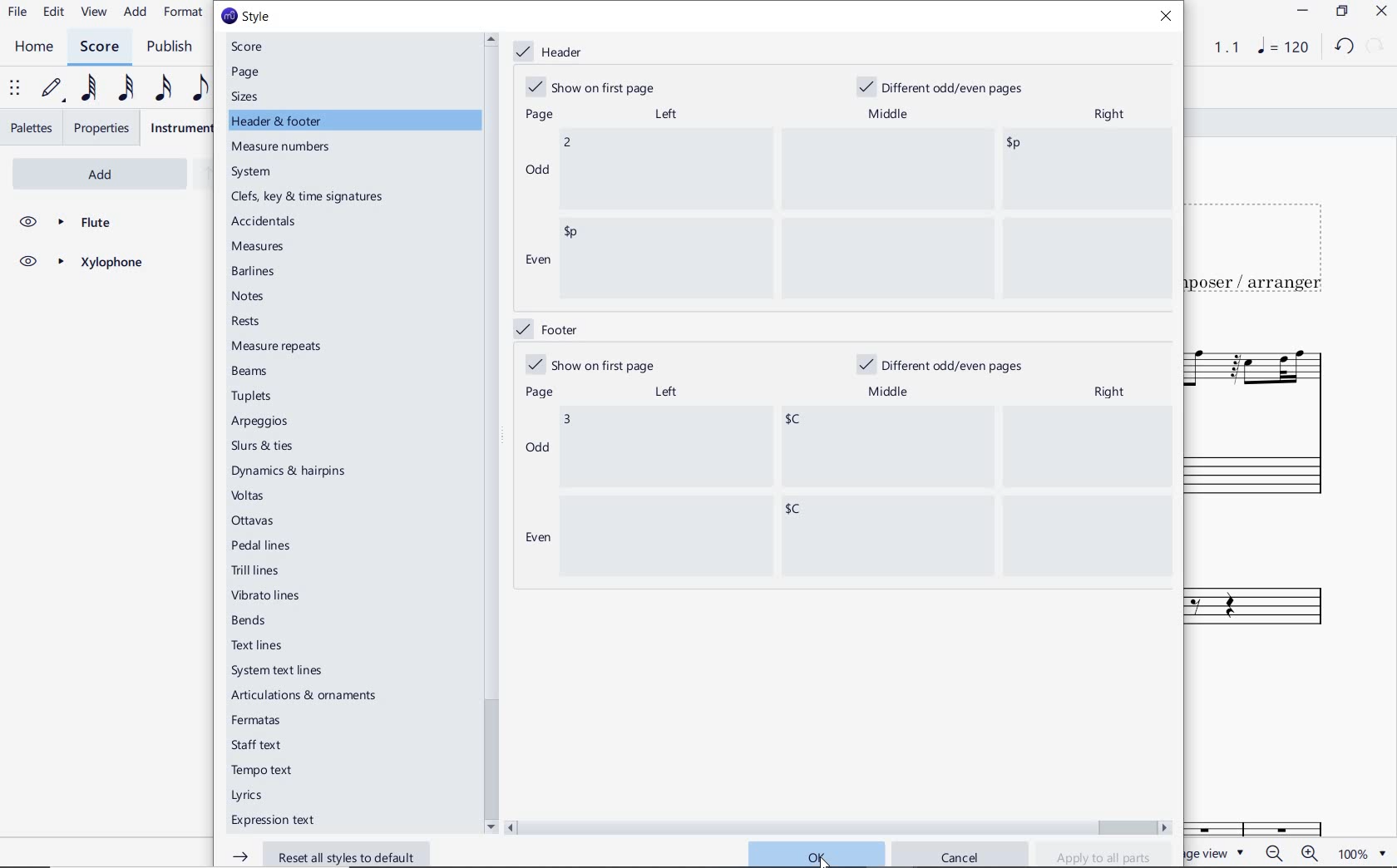 Image resolution: width=1397 pixels, height=868 pixels. What do you see at coordinates (86, 89) in the screenshot?
I see `64TH NOTE` at bounding box center [86, 89].